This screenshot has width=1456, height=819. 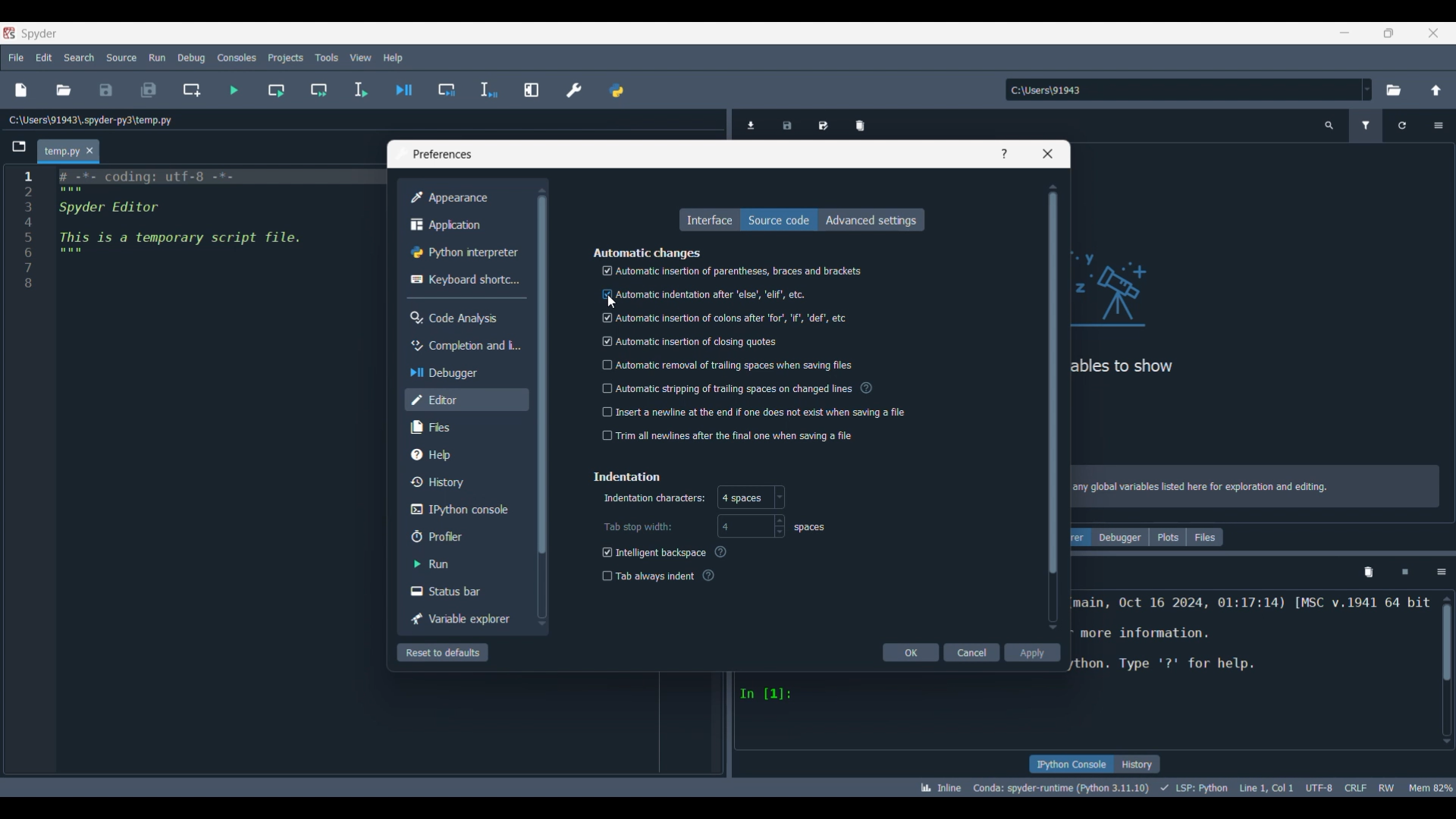 What do you see at coordinates (866, 388) in the screenshot?
I see `Description of toggle setting` at bounding box center [866, 388].